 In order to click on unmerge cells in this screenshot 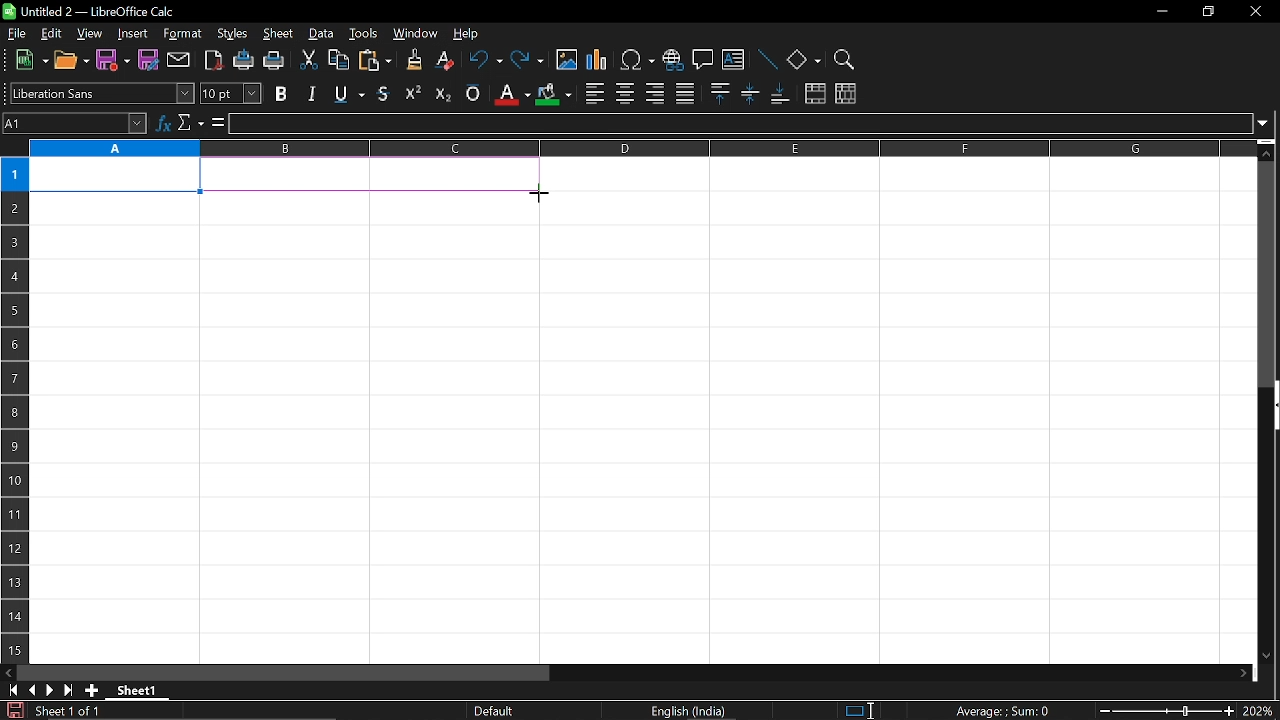, I will do `click(846, 95)`.